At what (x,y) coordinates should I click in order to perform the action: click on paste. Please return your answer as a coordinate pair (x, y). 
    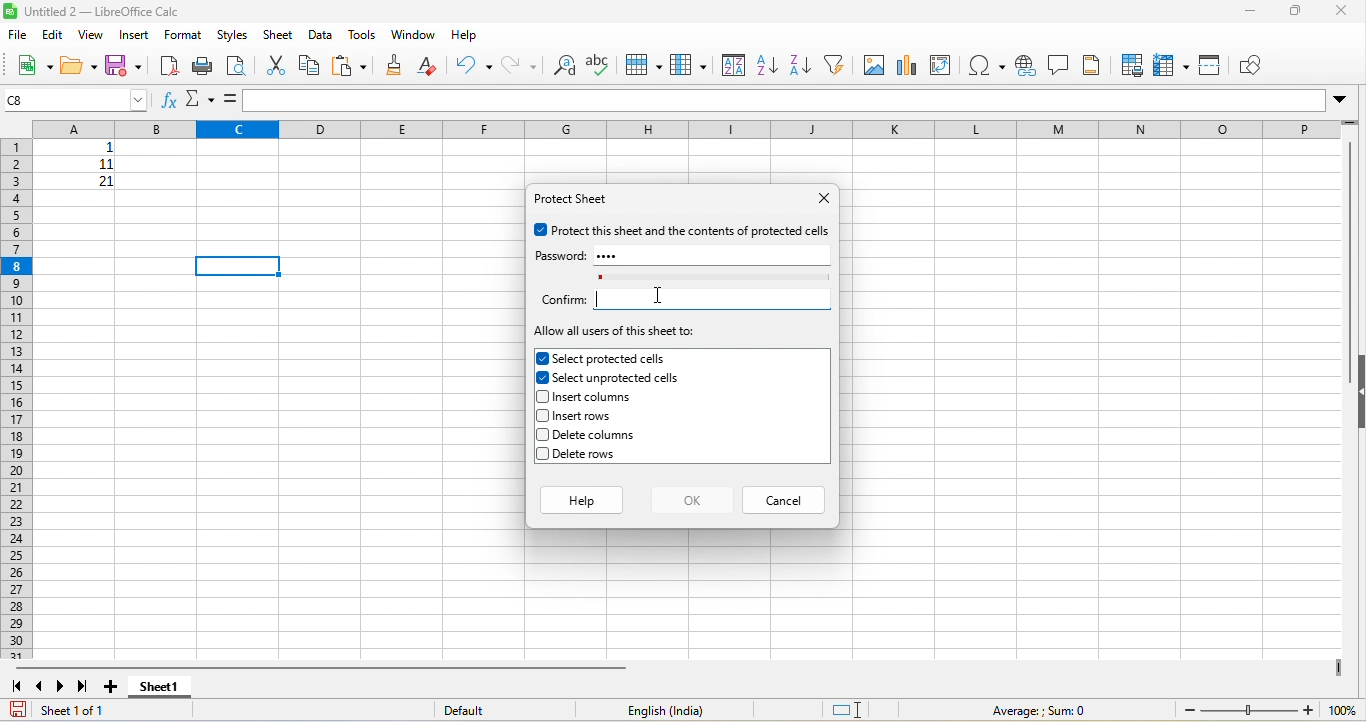
    Looking at the image, I should click on (349, 66).